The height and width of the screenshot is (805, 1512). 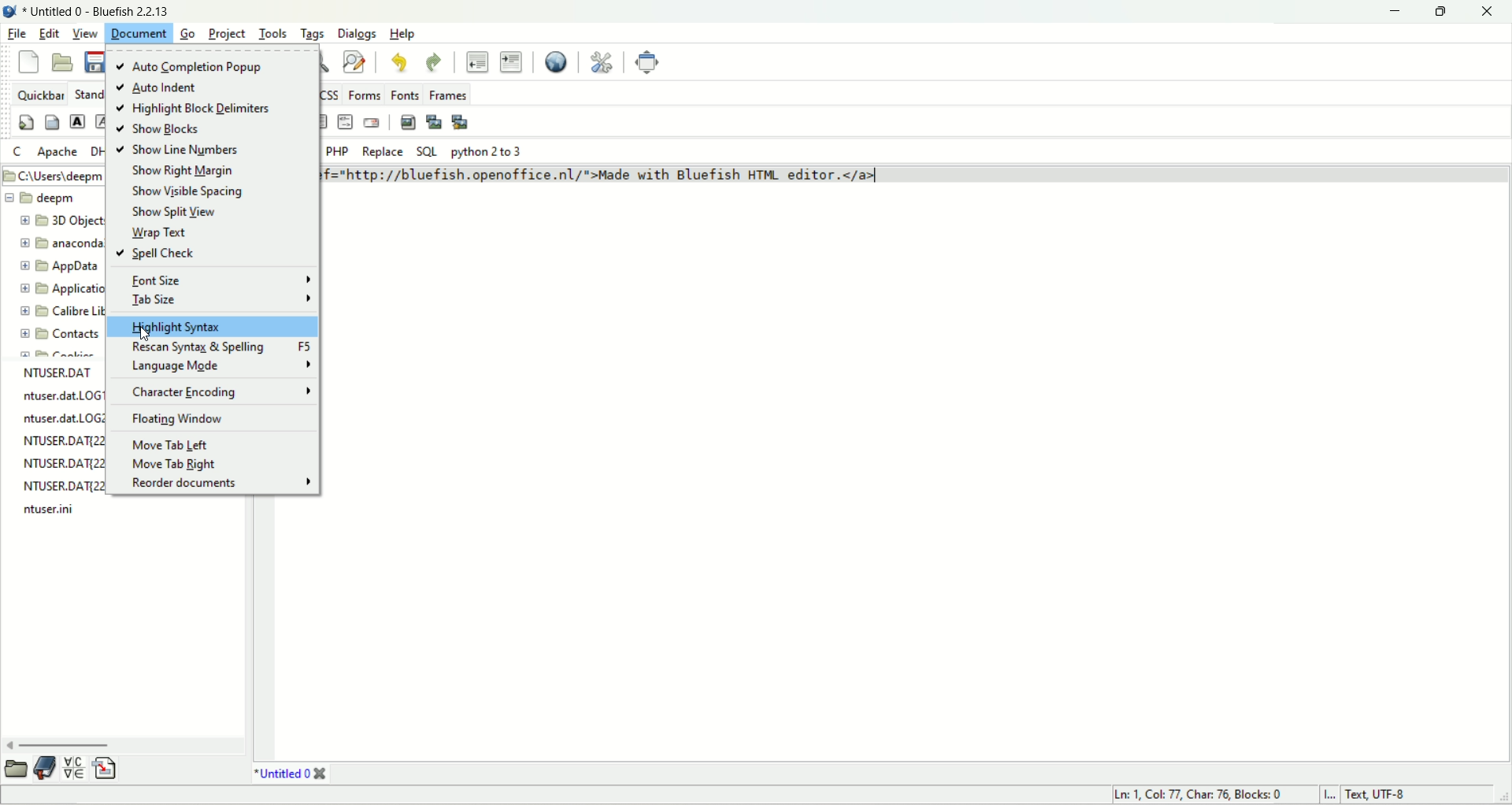 I want to click on tab size, so click(x=222, y=299).